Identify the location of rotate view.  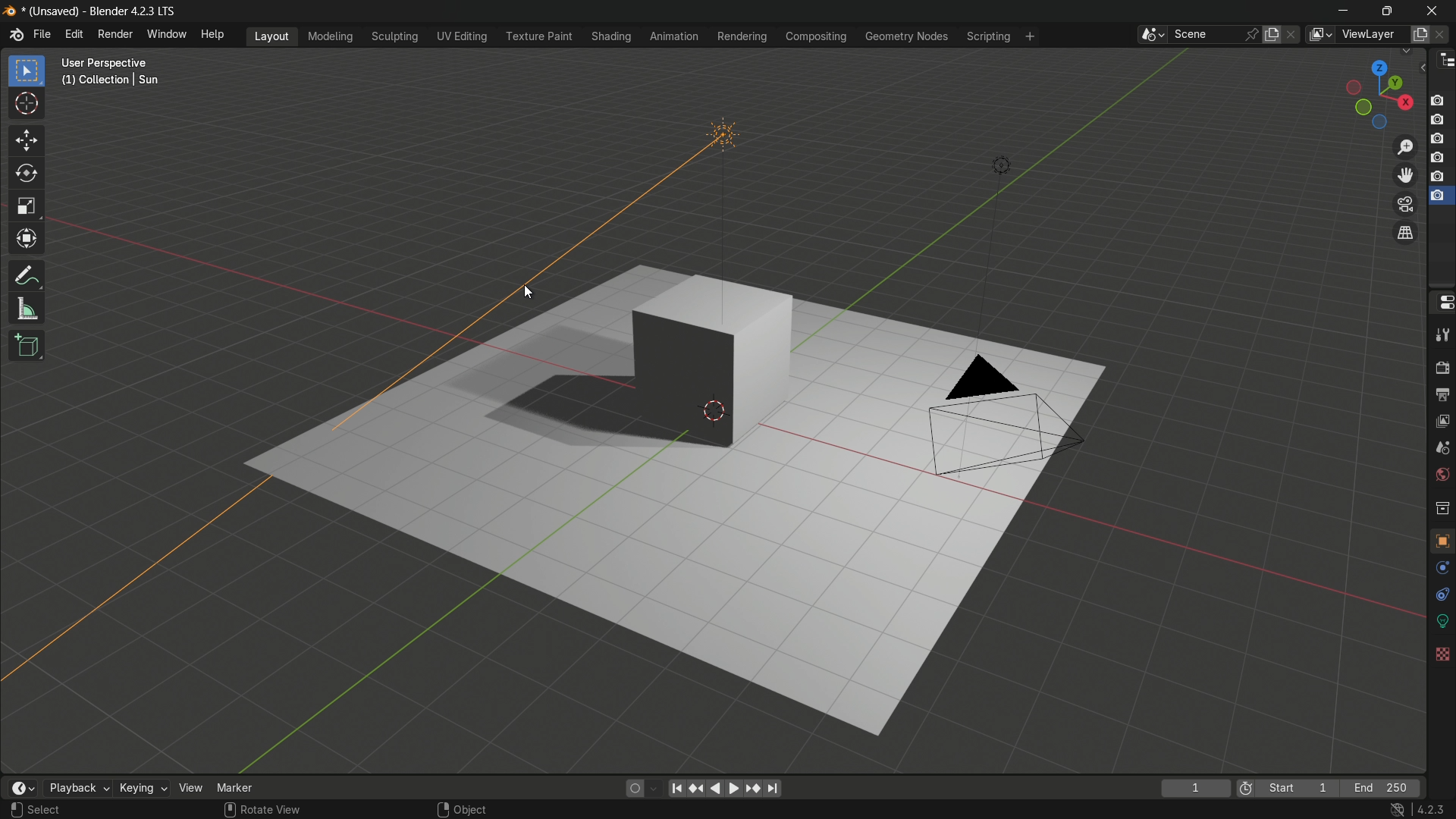
(272, 810).